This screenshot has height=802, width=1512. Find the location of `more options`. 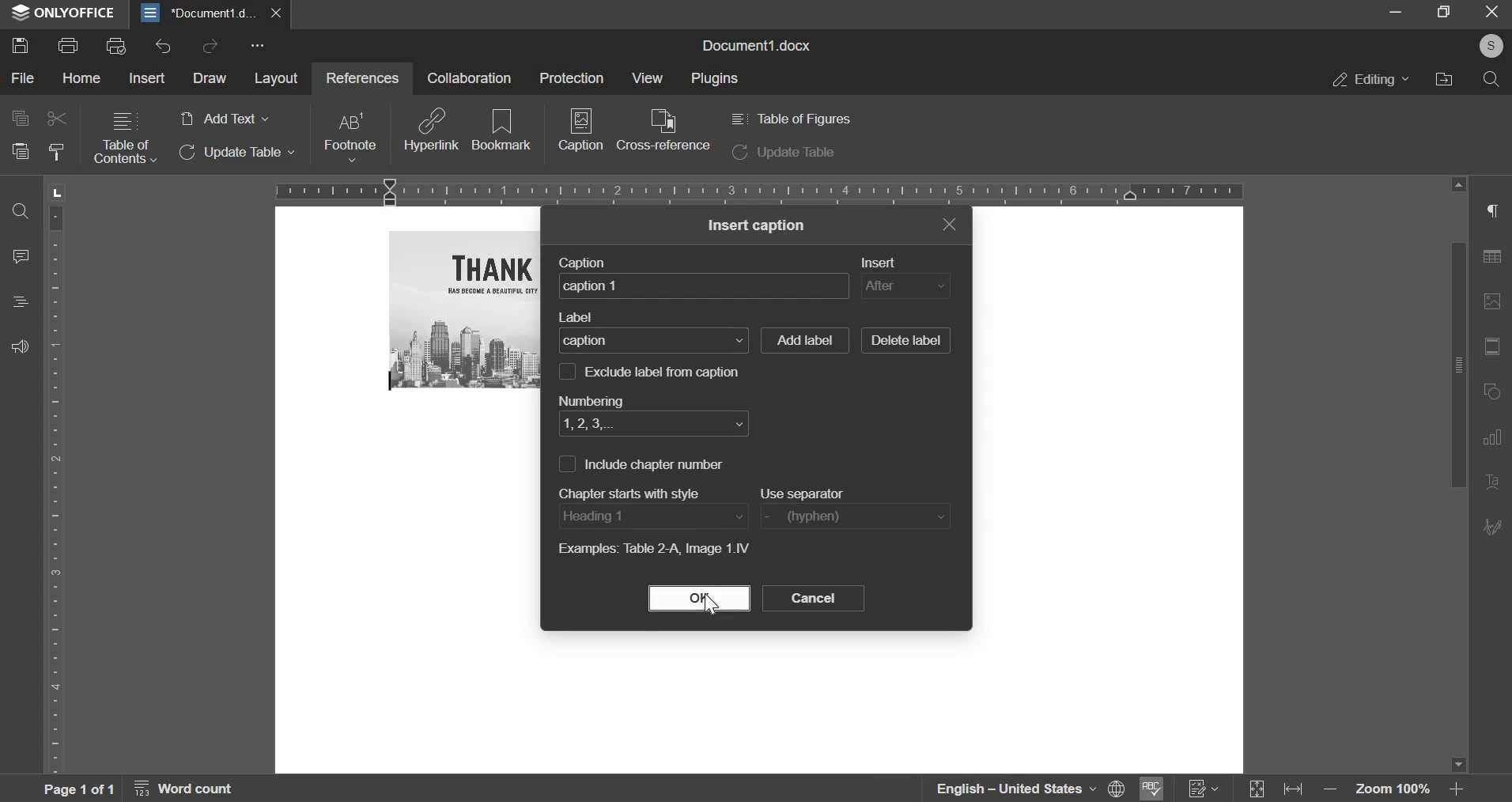

more options is located at coordinates (260, 47).